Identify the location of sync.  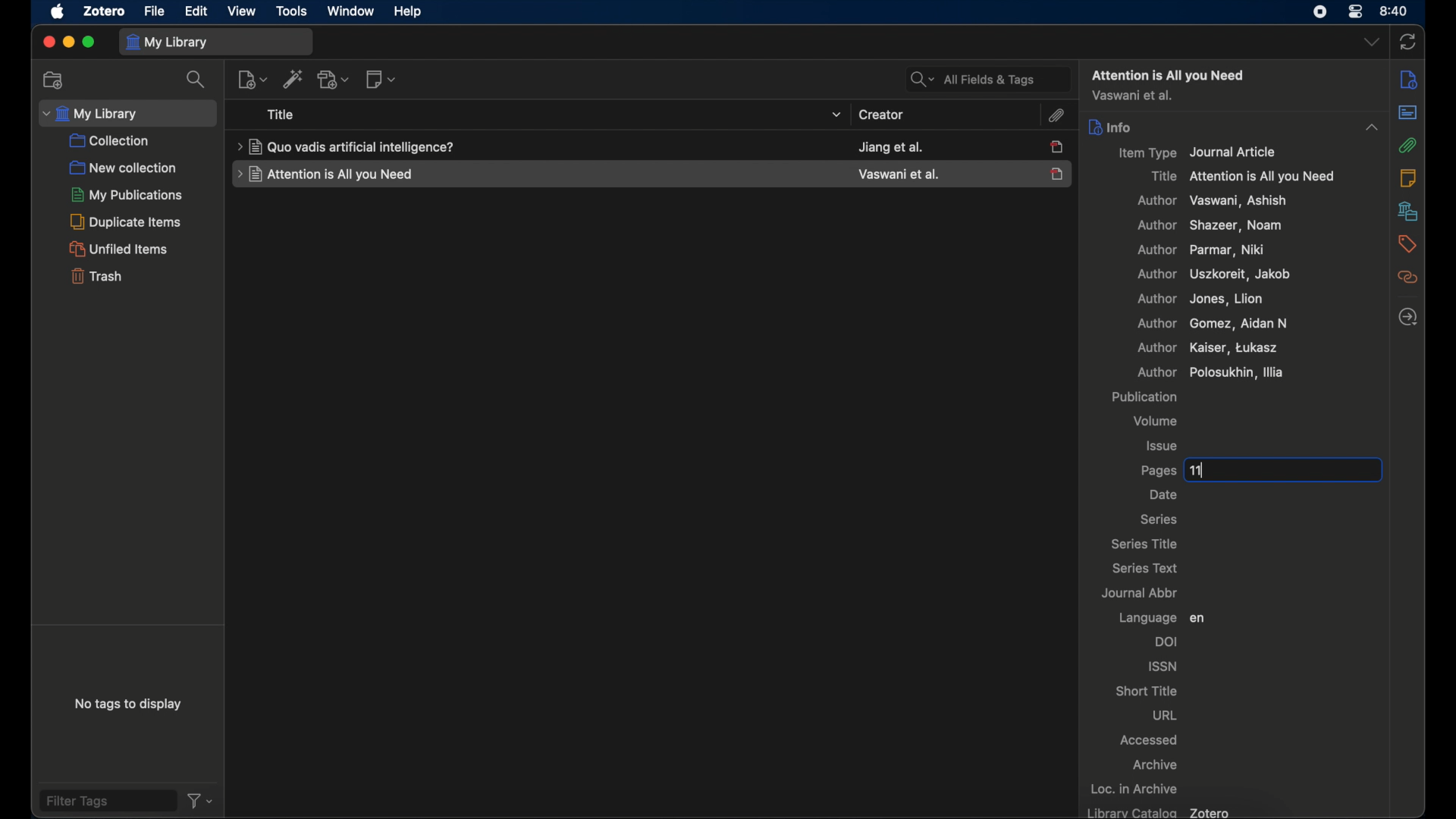
(1410, 41).